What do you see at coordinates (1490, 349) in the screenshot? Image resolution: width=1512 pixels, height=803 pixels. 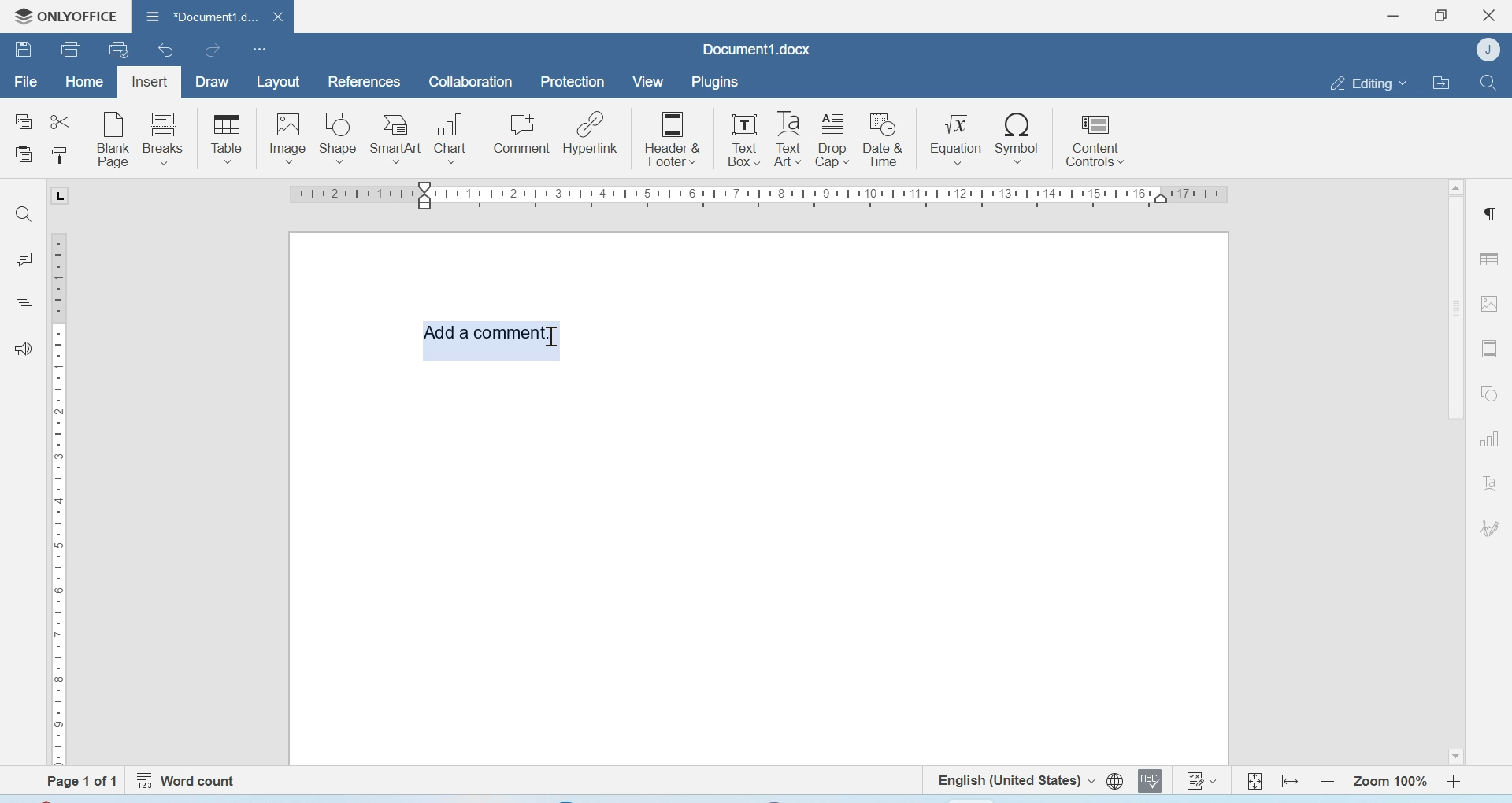 I see `Header & footer` at bounding box center [1490, 349].